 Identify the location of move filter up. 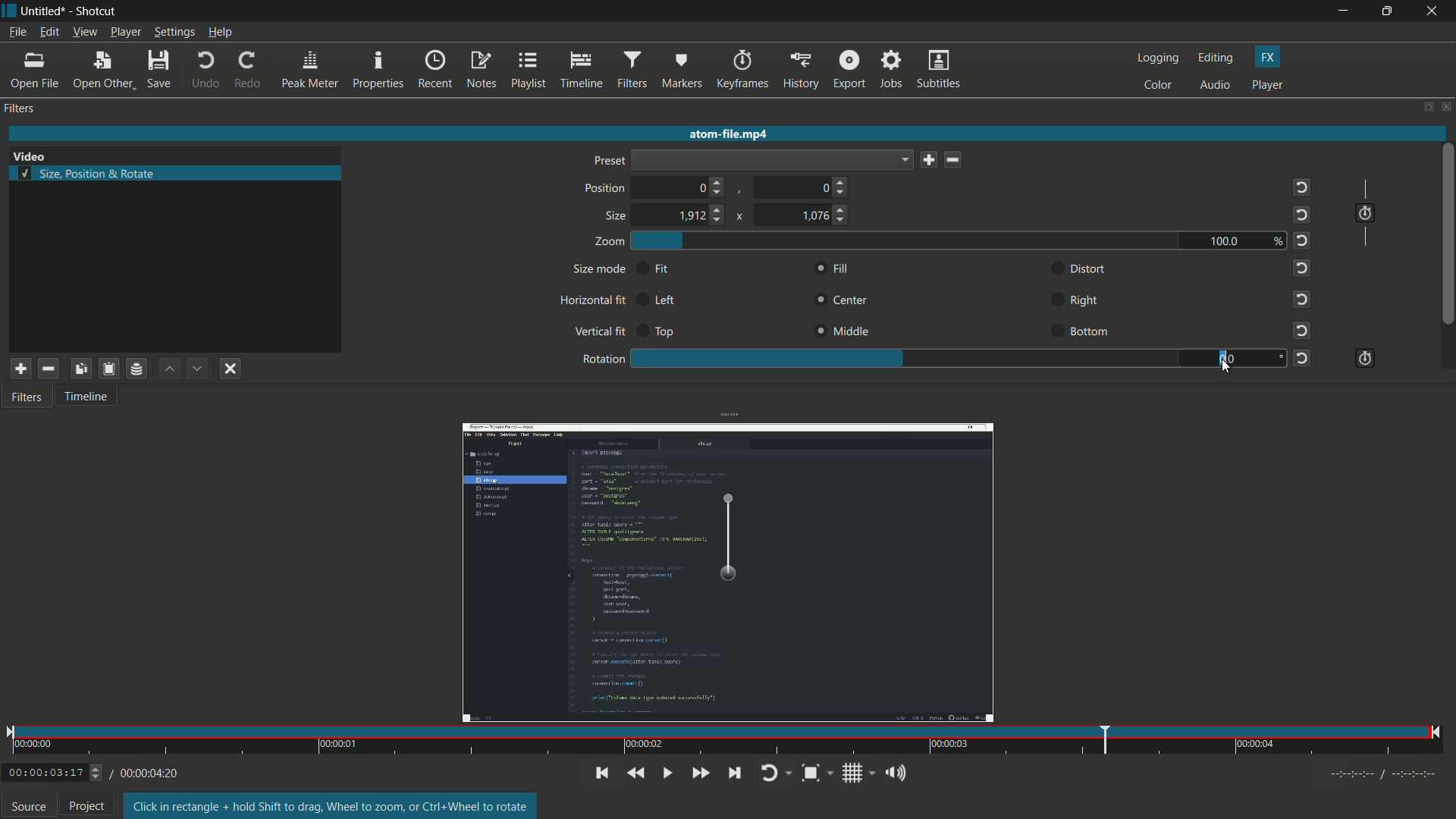
(170, 369).